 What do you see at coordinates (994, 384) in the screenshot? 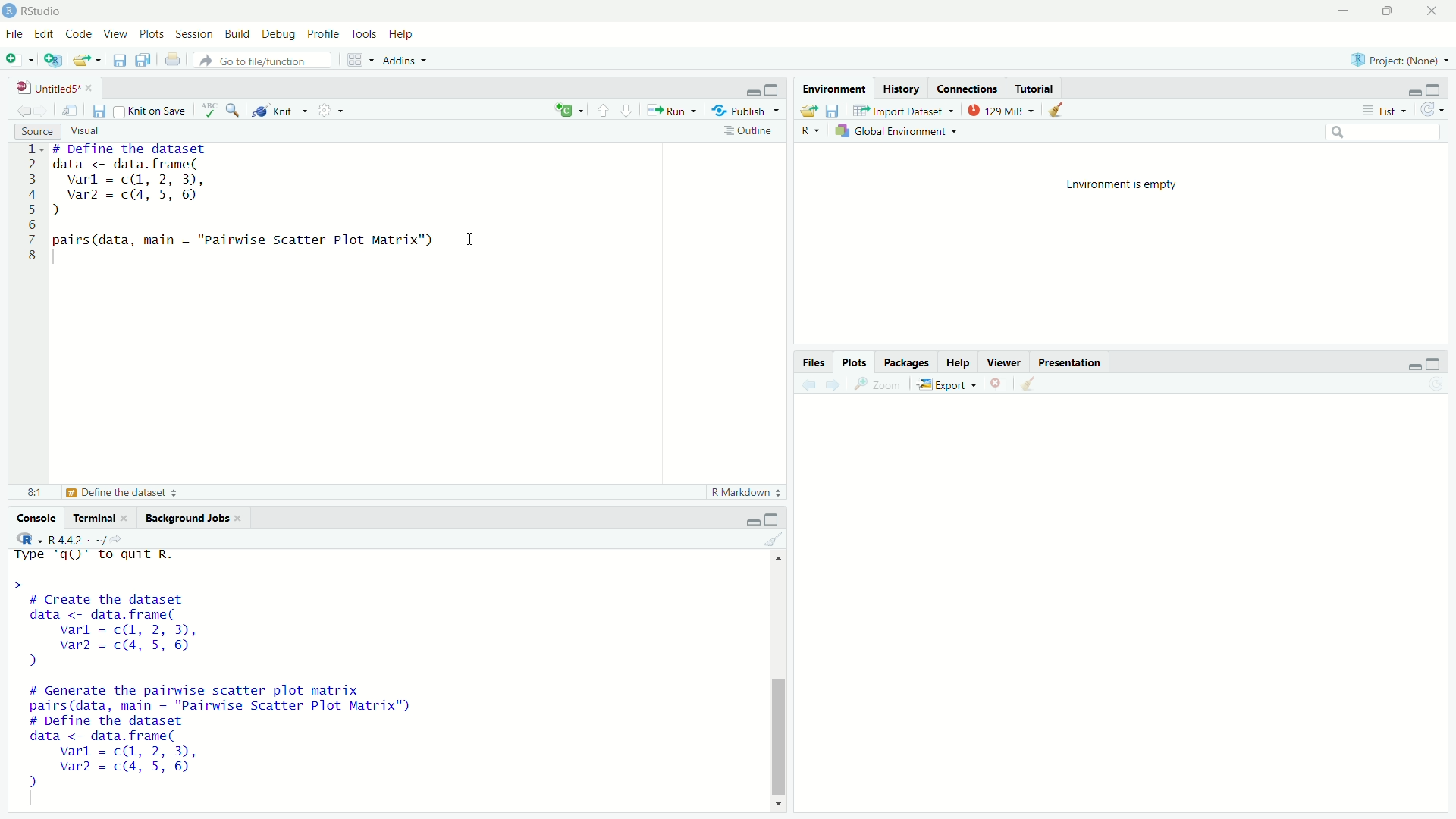
I see `Close` at bounding box center [994, 384].